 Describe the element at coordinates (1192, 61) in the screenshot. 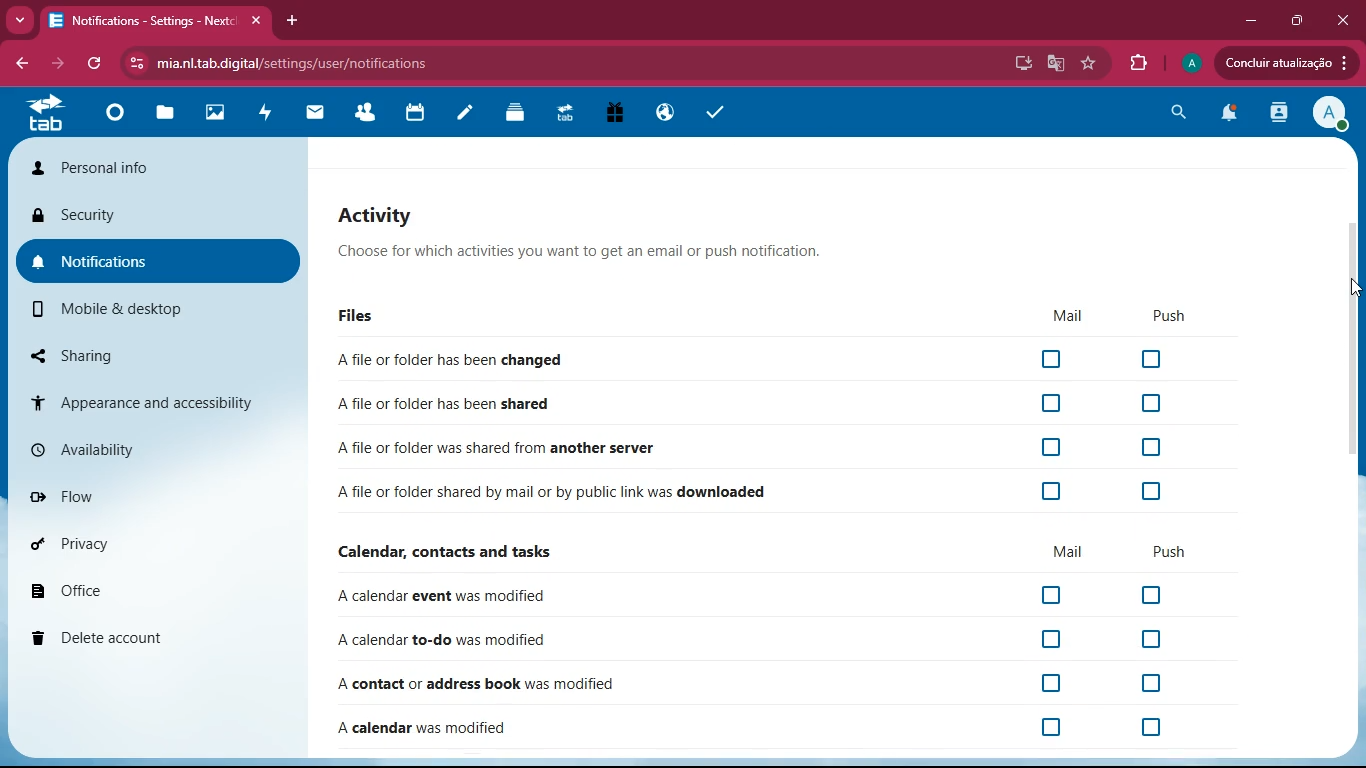

I see `Profile` at that location.